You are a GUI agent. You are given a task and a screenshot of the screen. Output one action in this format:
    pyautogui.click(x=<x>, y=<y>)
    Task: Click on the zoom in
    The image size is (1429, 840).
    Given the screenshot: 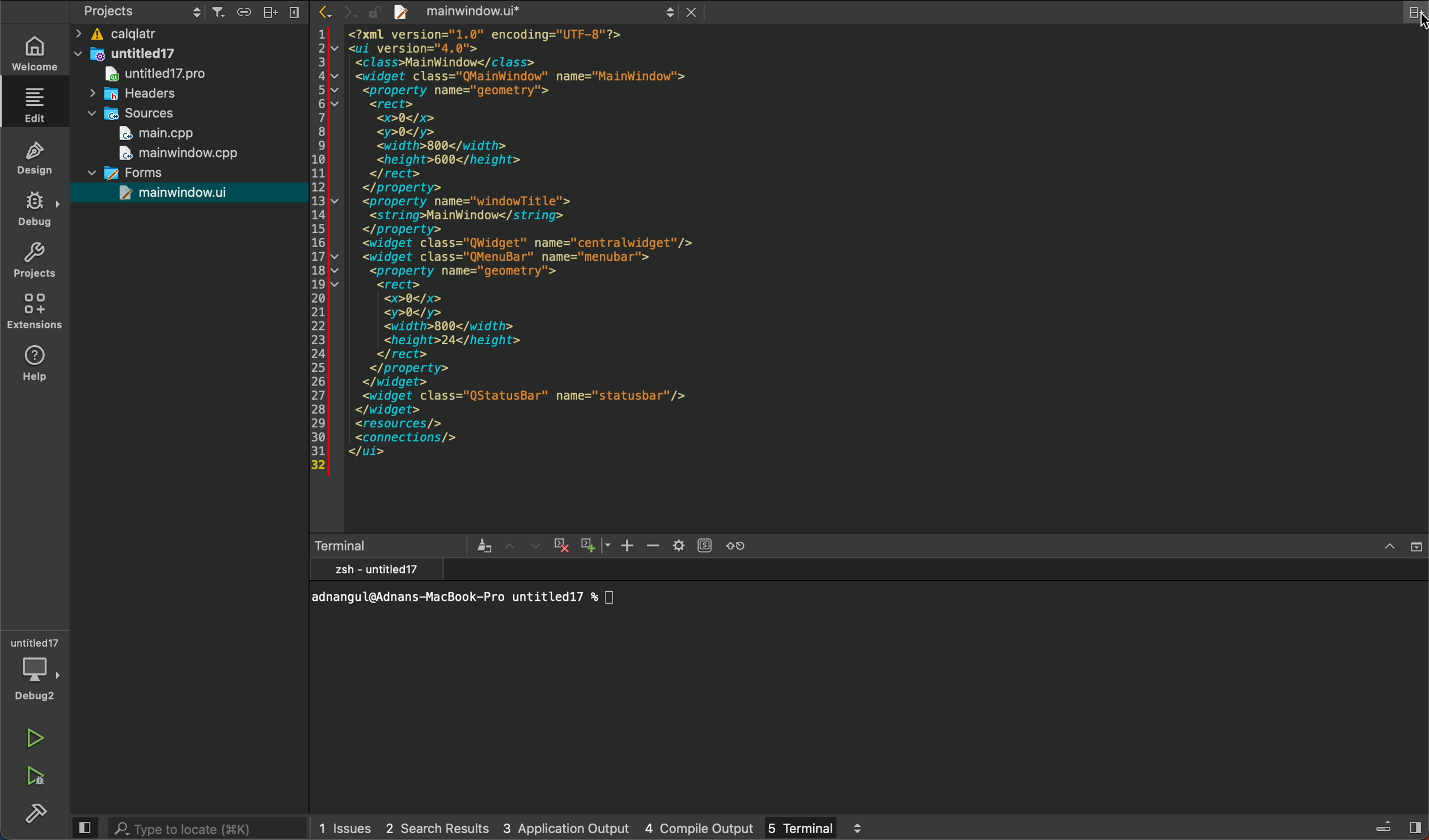 What is the action you would take?
    pyautogui.click(x=627, y=545)
    